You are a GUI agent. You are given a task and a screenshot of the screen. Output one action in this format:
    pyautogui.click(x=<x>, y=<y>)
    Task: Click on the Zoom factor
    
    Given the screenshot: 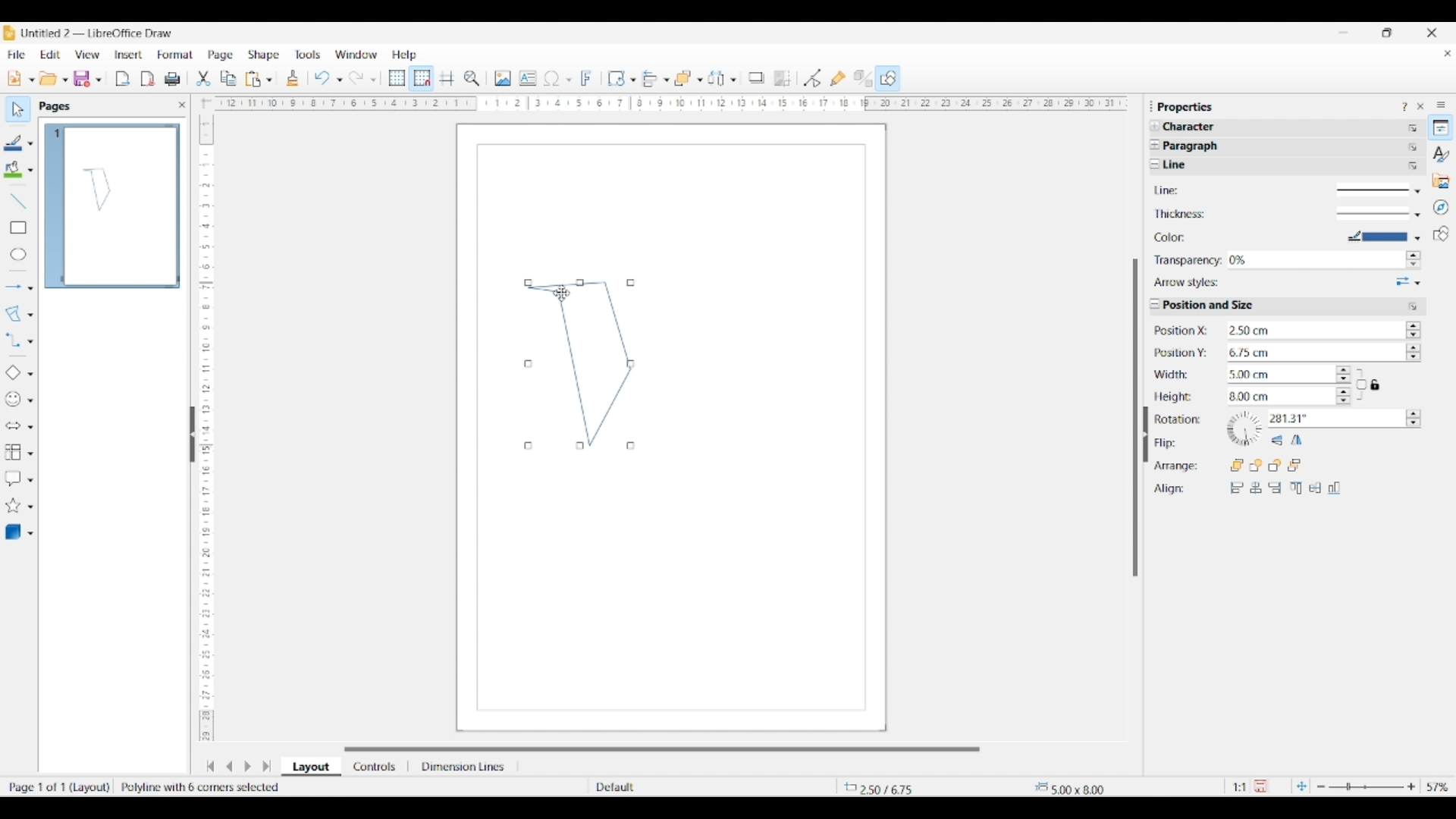 What is the action you would take?
    pyautogui.click(x=1439, y=787)
    